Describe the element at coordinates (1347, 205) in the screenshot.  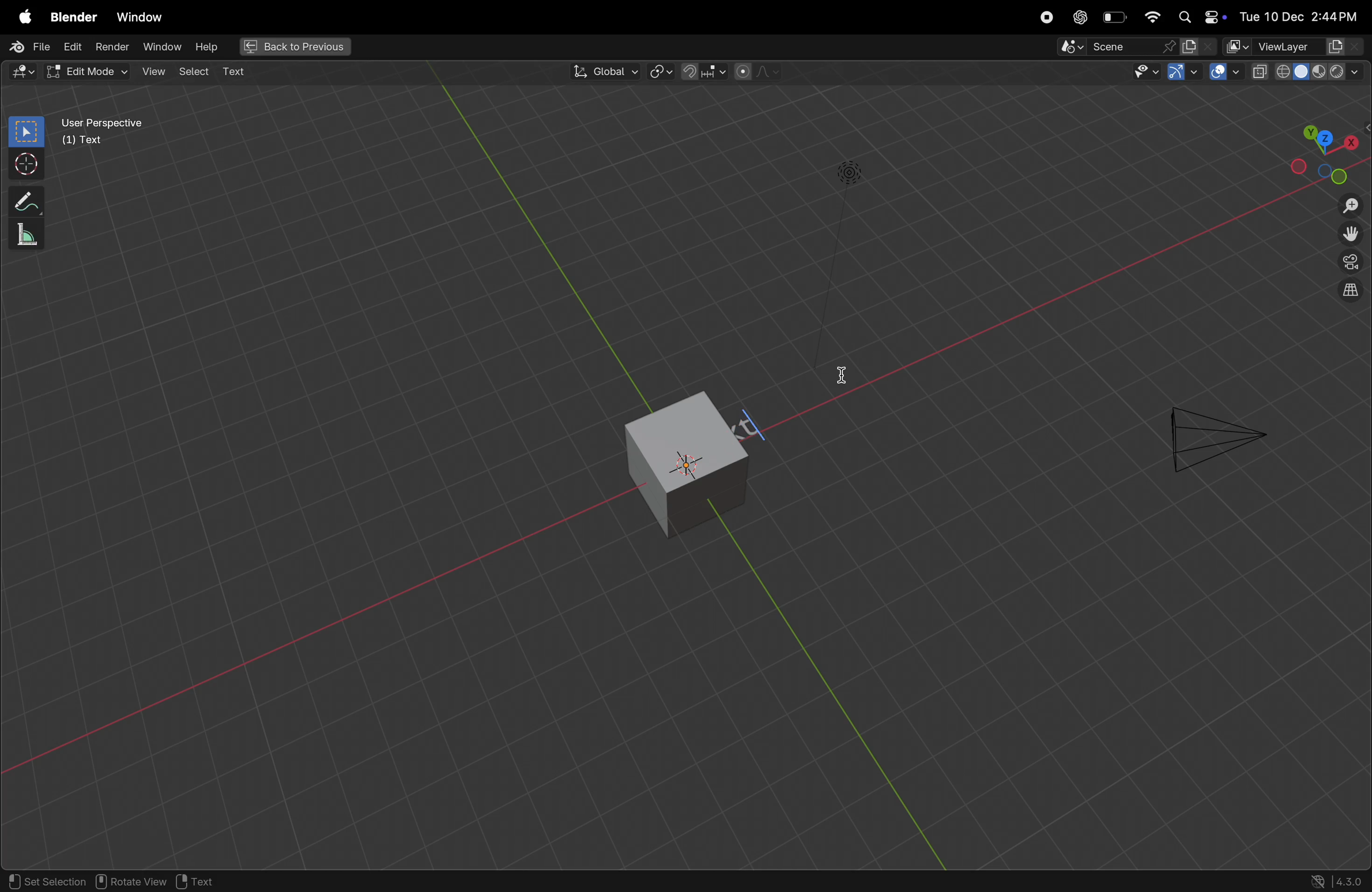
I see `zoom` at that location.